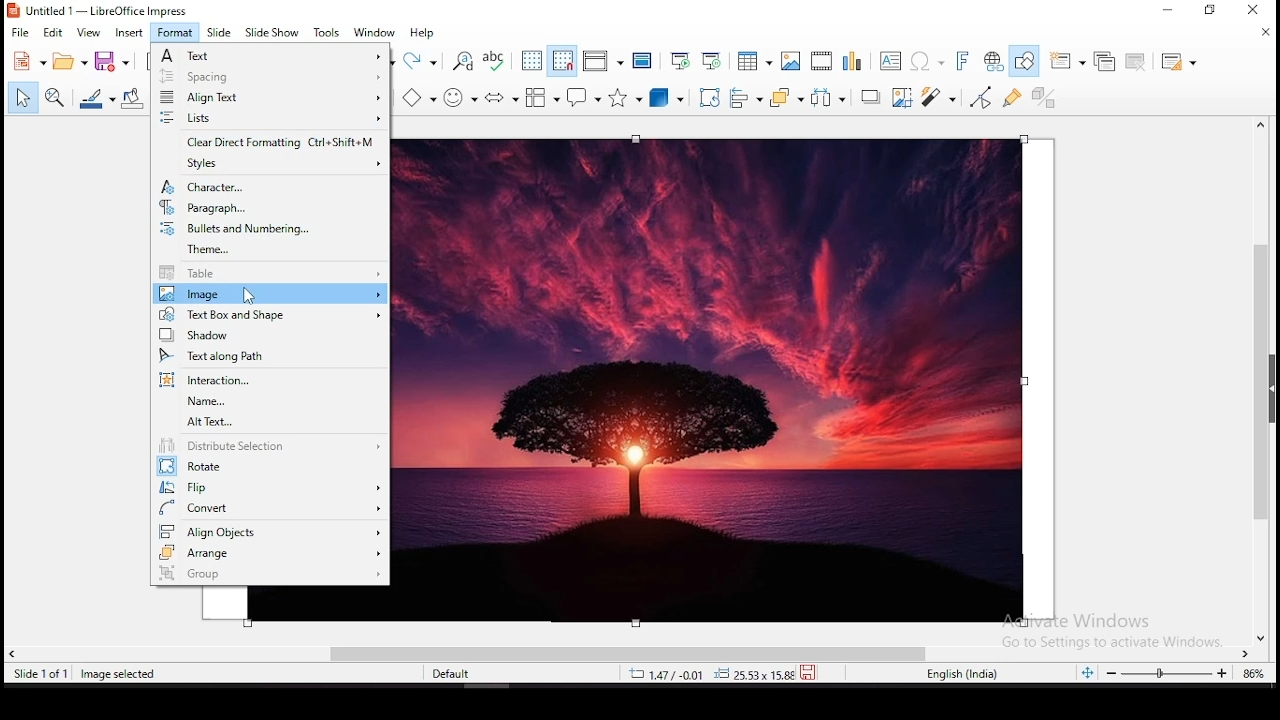 Image resolution: width=1280 pixels, height=720 pixels. I want to click on slide 1 of 1, so click(44, 674).